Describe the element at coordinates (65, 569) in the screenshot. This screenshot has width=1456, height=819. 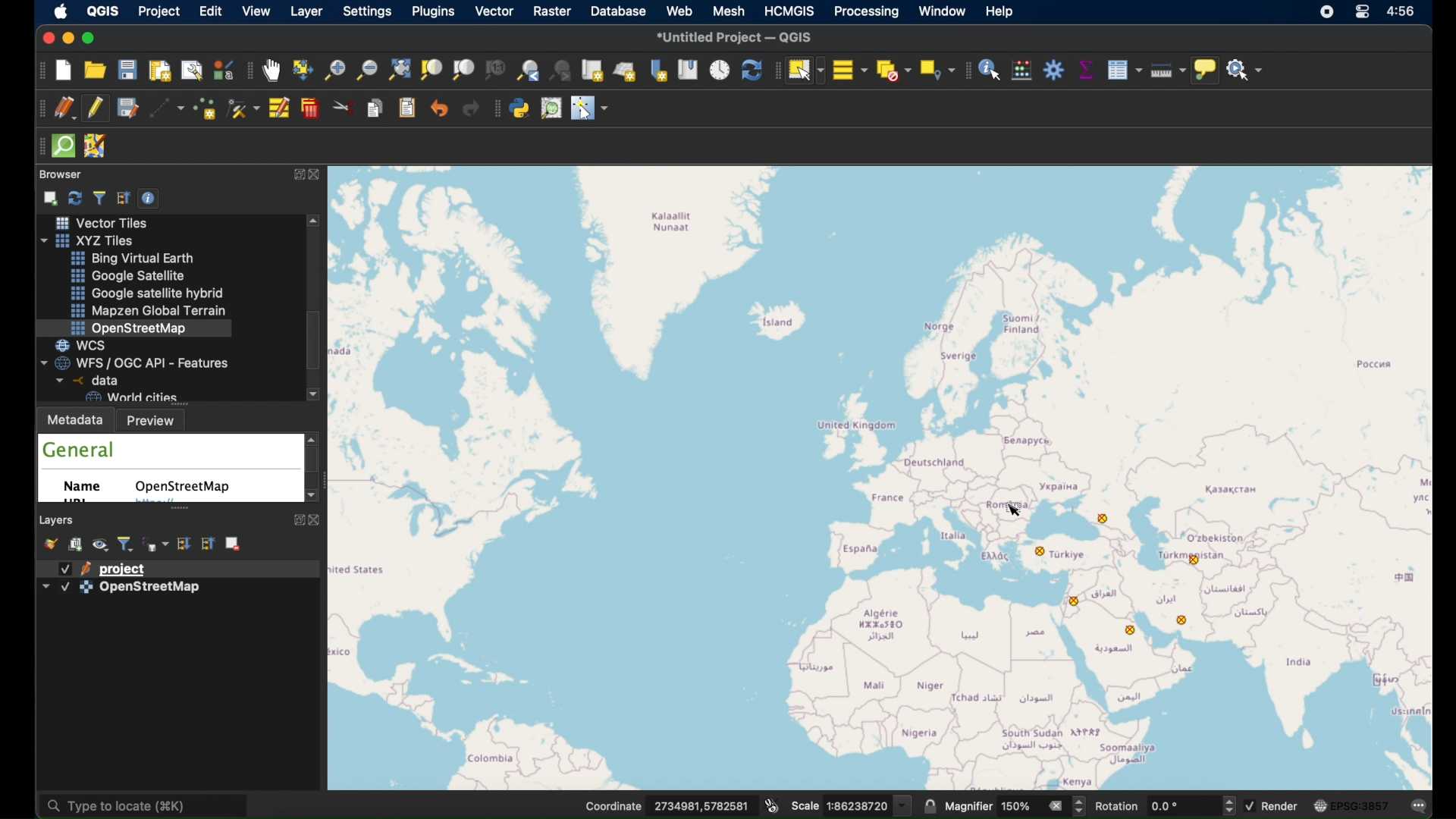
I see `checkbox` at that location.